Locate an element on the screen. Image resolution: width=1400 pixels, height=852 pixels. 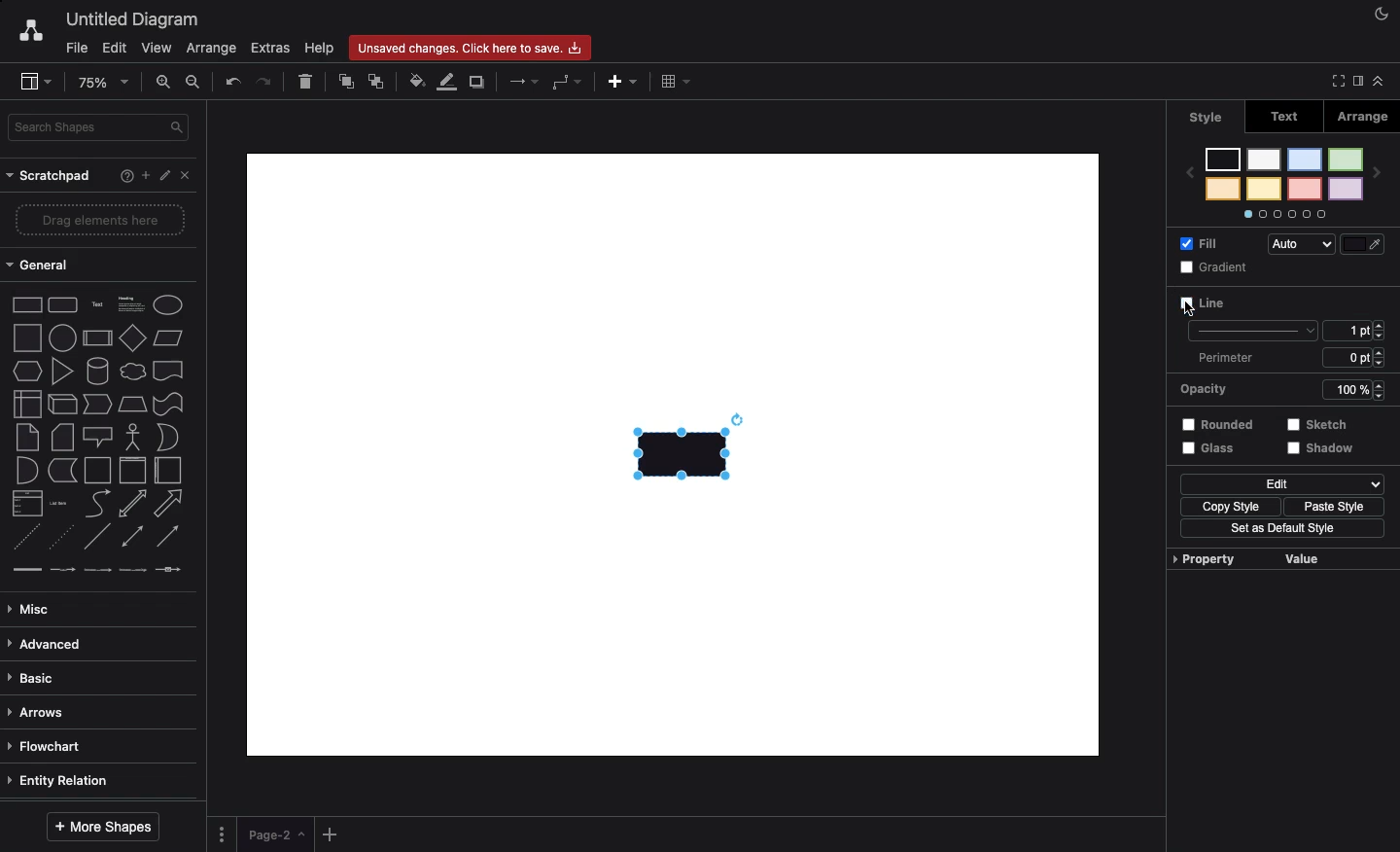
note is located at coordinates (28, 437).